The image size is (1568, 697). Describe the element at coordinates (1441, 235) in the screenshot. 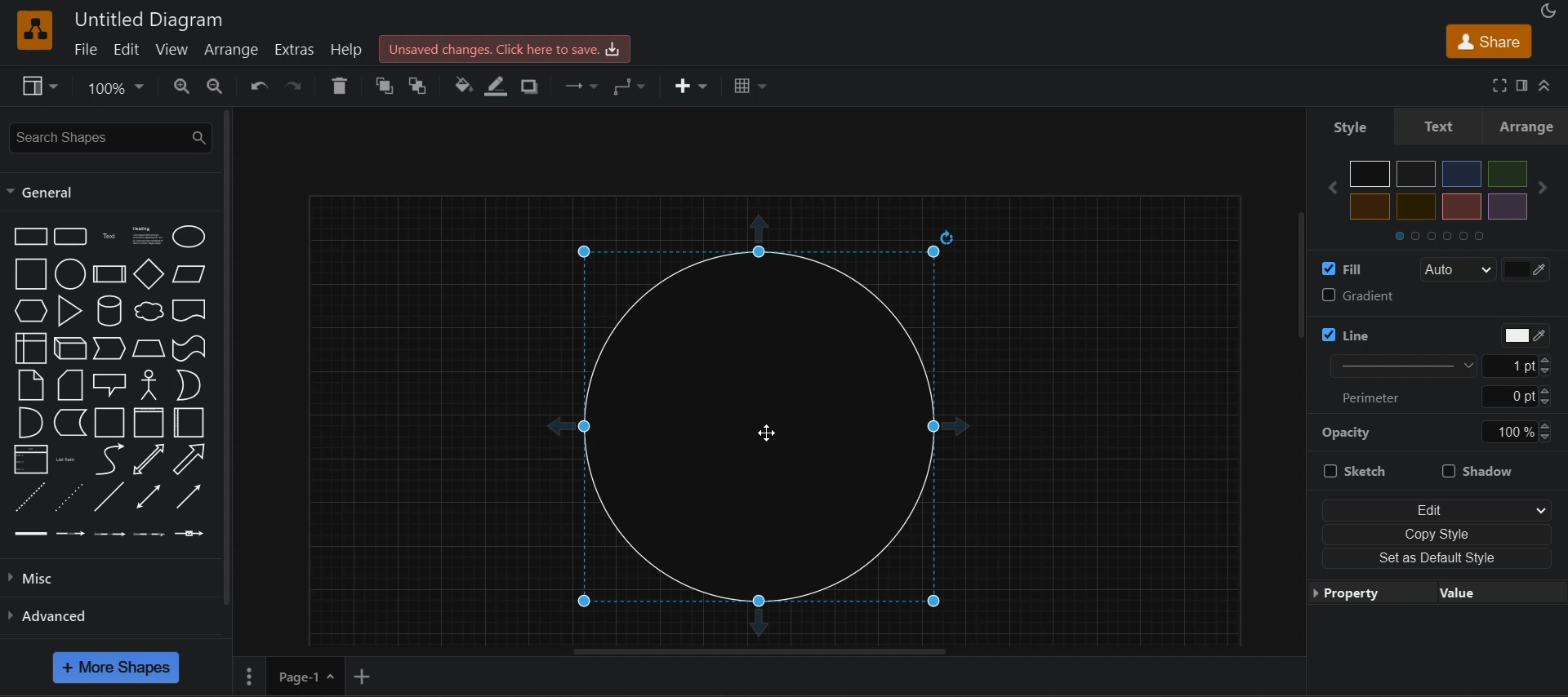

I see `sections` at that location.